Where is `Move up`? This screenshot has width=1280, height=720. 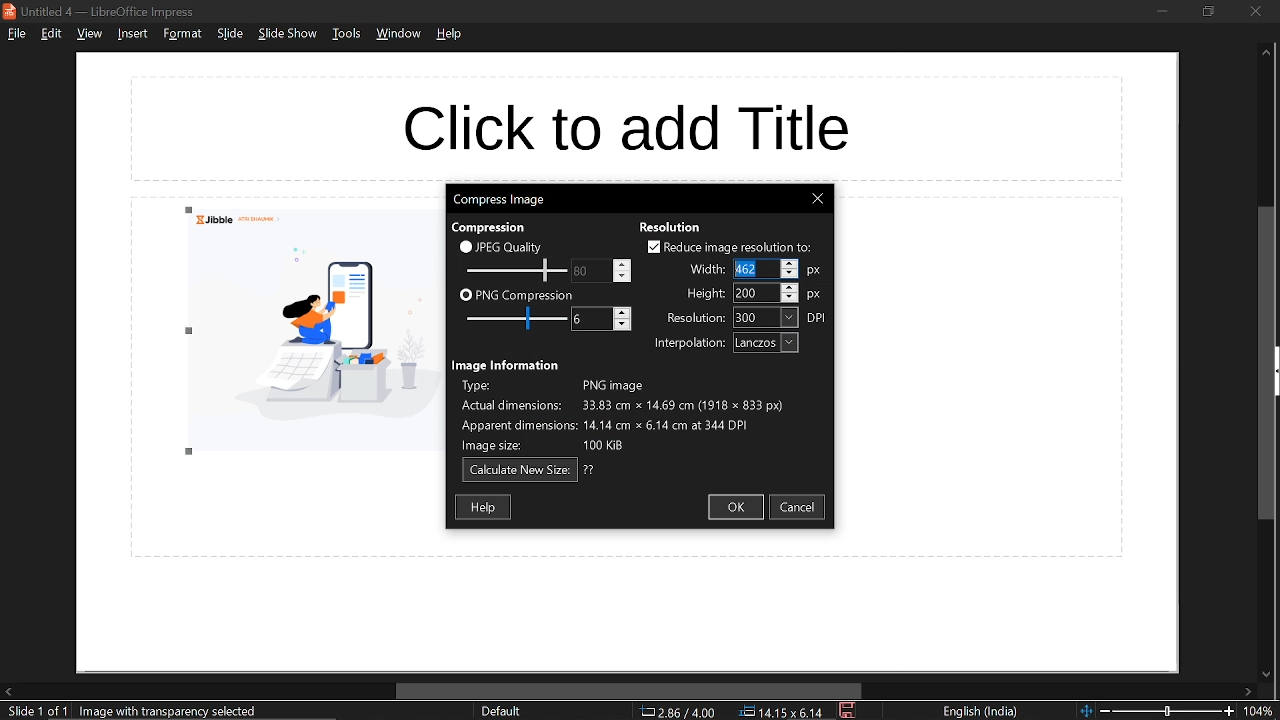 Move up is located at coordinates (1266, 53).